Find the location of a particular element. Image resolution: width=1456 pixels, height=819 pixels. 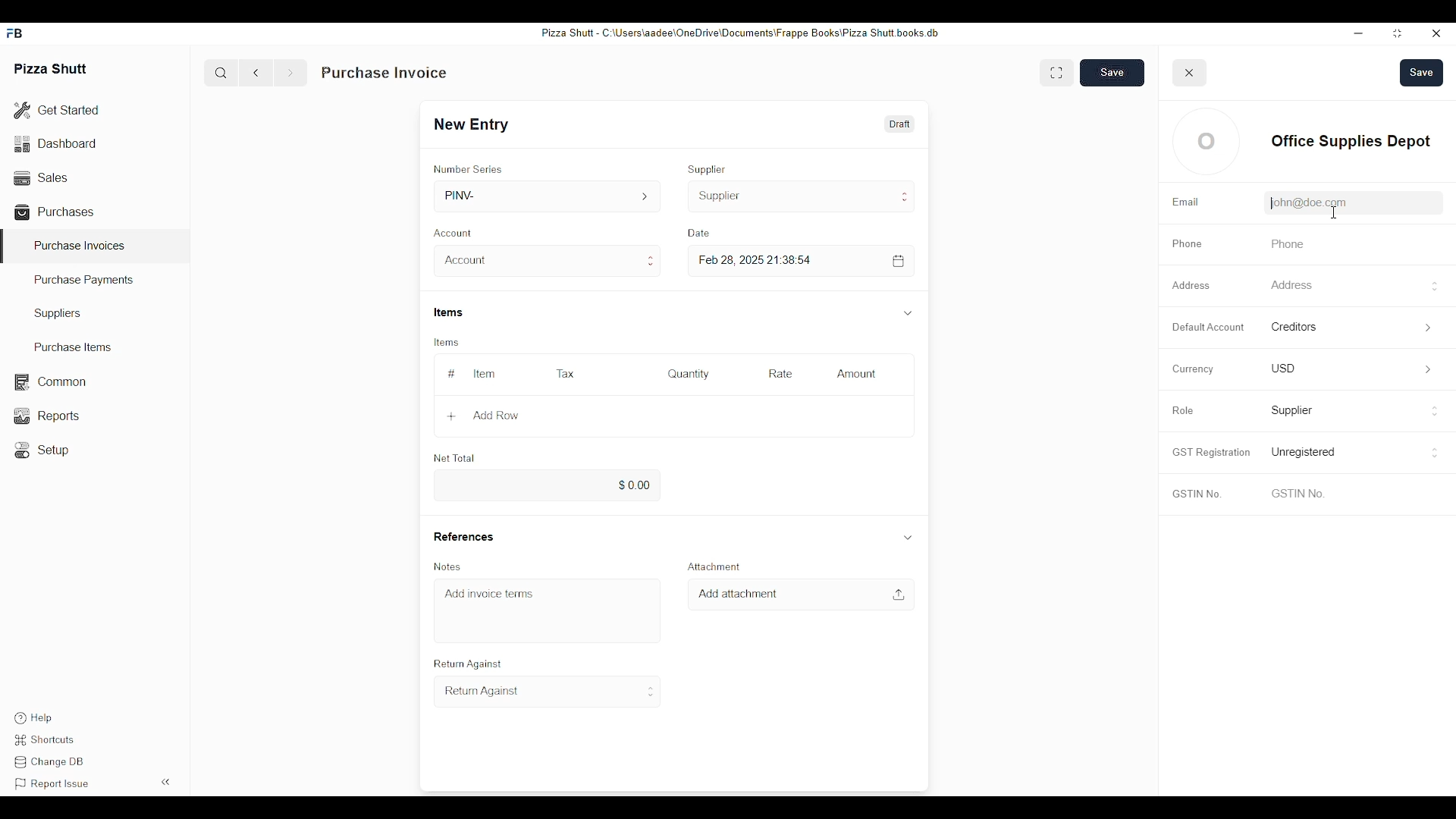

Return Against  is located at coordinates (548, 692).